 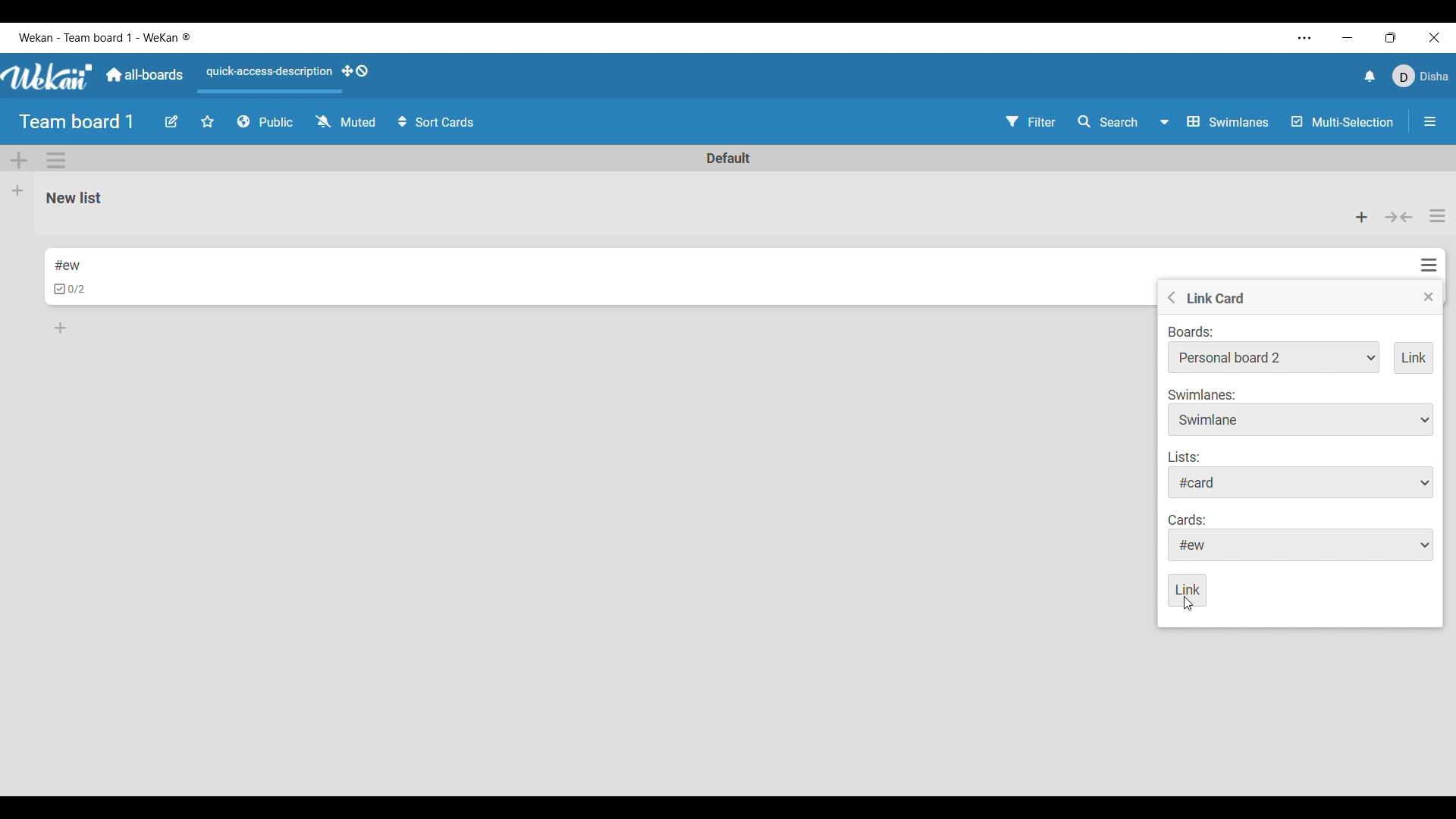 I want to click on Sort cards, so click(x=438, y=122).